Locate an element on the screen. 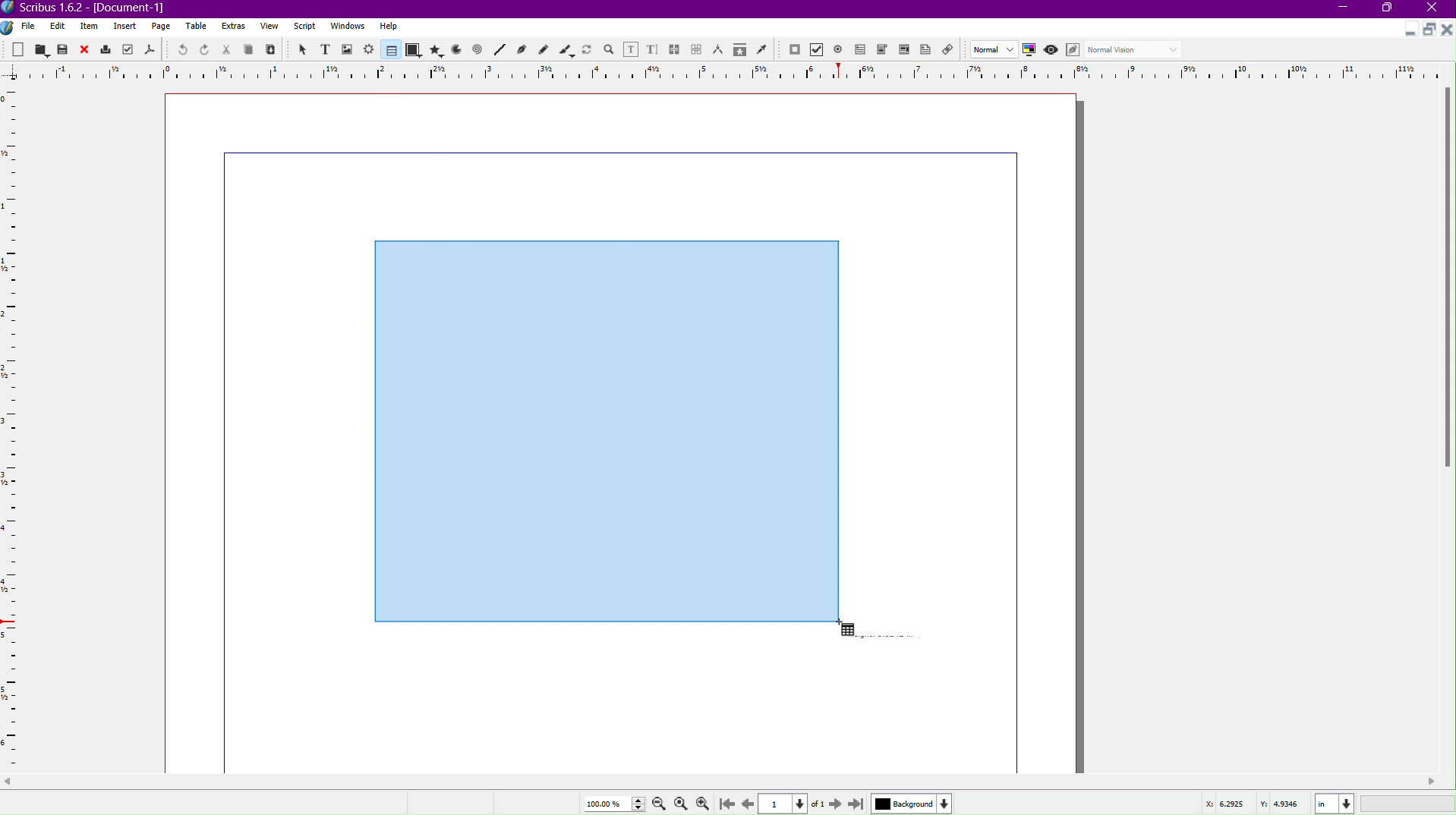 This screenshot has width=1456, height=815. Page is located at coordinates (162, 27).